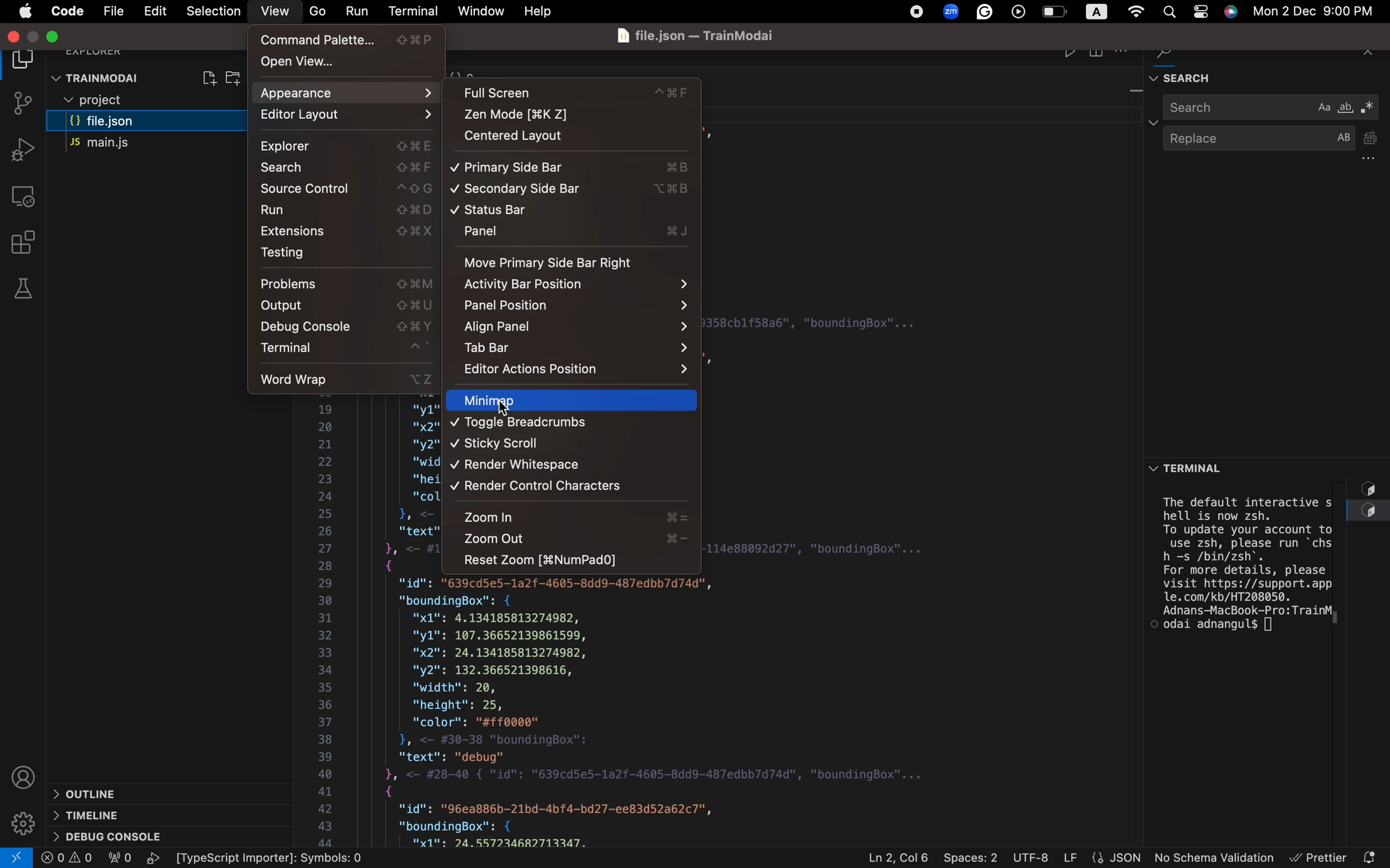  I want to click on Explorer , so click(349, 147).